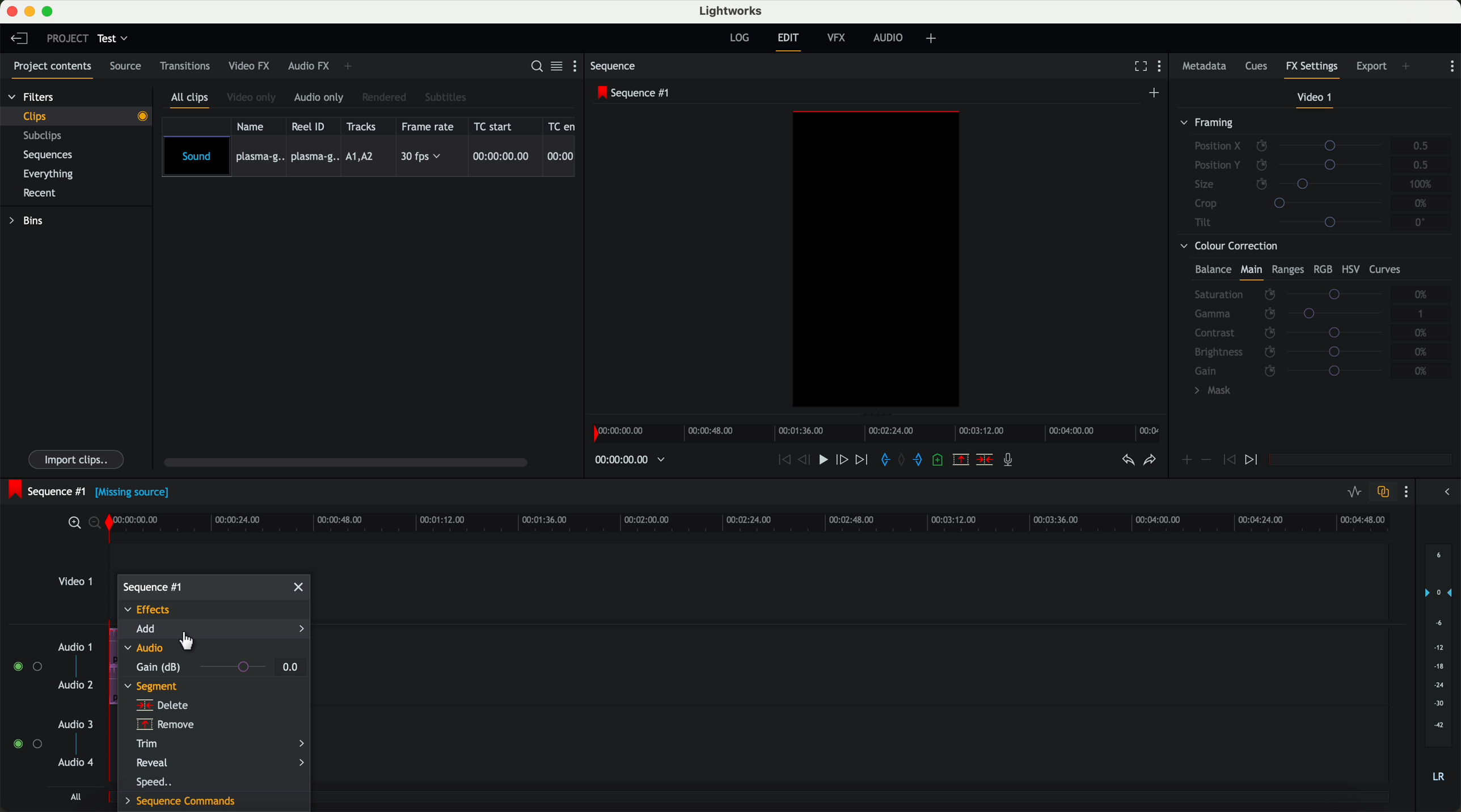 The image size is (1461, 812). Describe the element at coordinates (386, 97) in the screenshot. I see `rendered` at that location.